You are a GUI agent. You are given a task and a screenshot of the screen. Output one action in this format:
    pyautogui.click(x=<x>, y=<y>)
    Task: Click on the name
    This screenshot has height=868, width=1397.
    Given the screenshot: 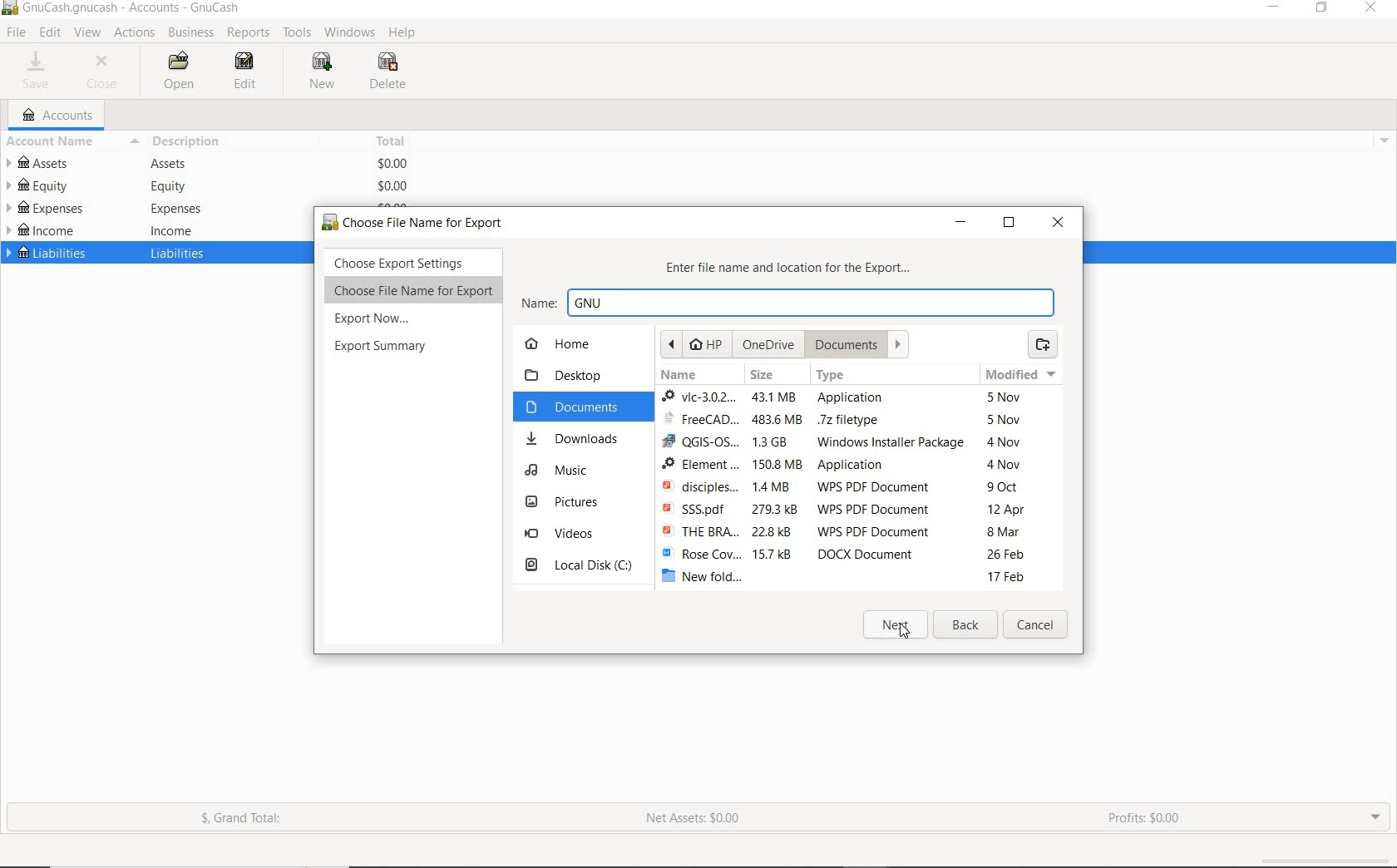 What is the action you would take?
    pyautogui.click(x=791, y=302)
    